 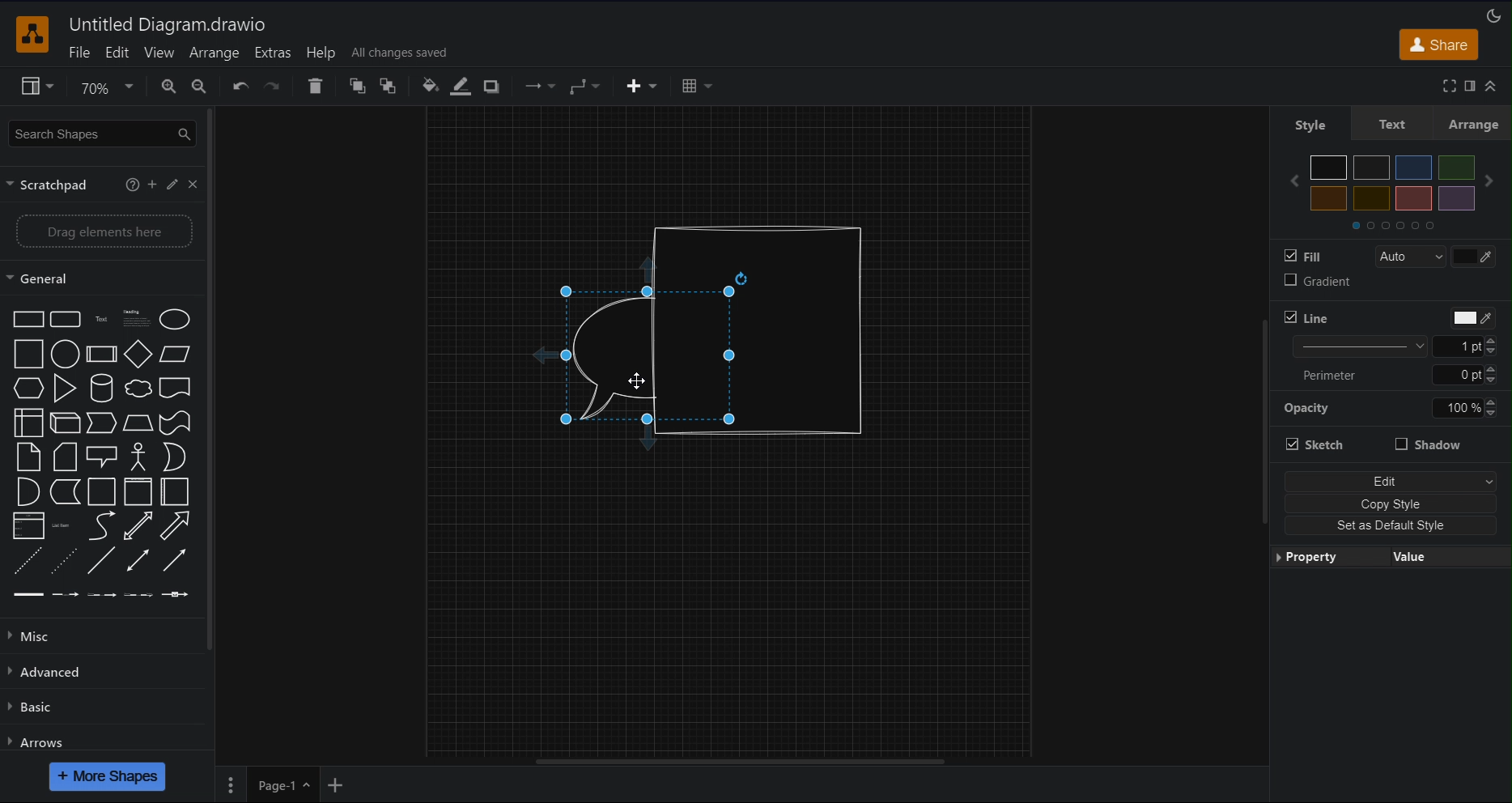 What do you see at coordinates (138, 354) in the screenshot?
I see `Diamond` at bounding box center [138, 354].